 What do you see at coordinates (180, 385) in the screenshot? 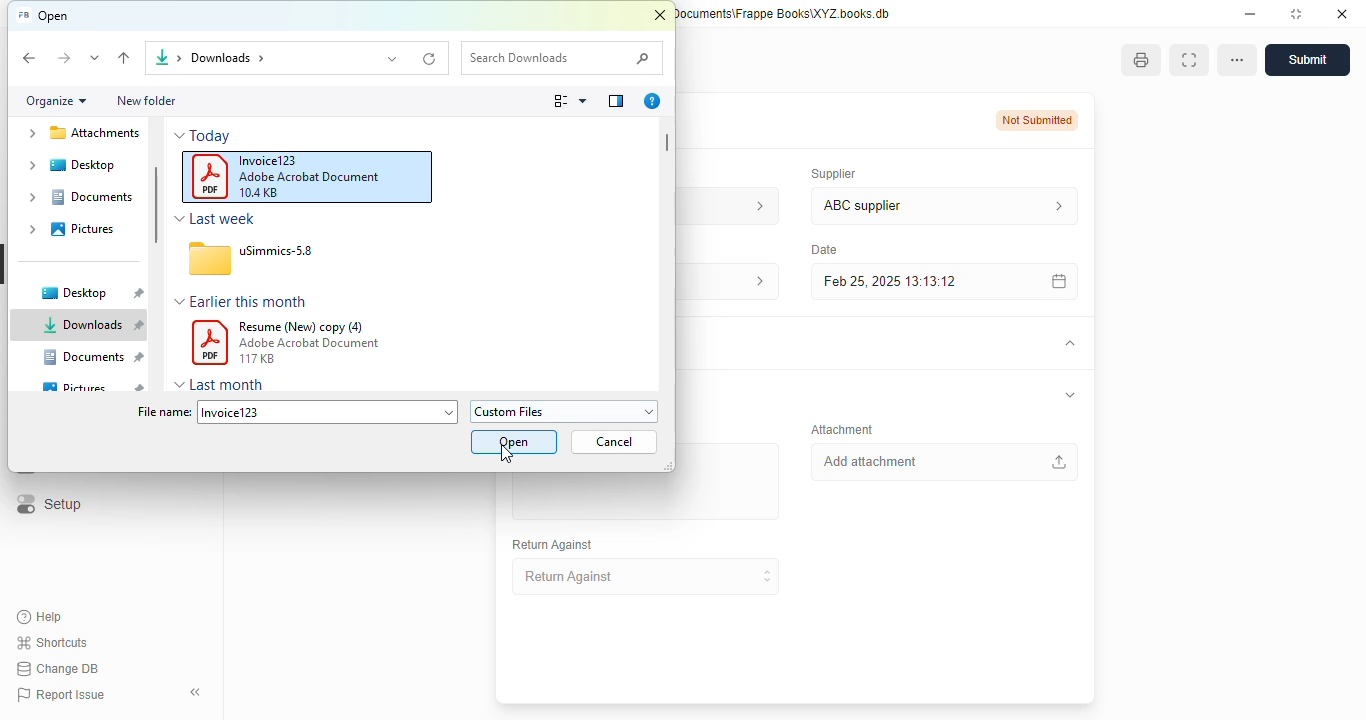
I see `dropdown` at bounding box center [180, 385].